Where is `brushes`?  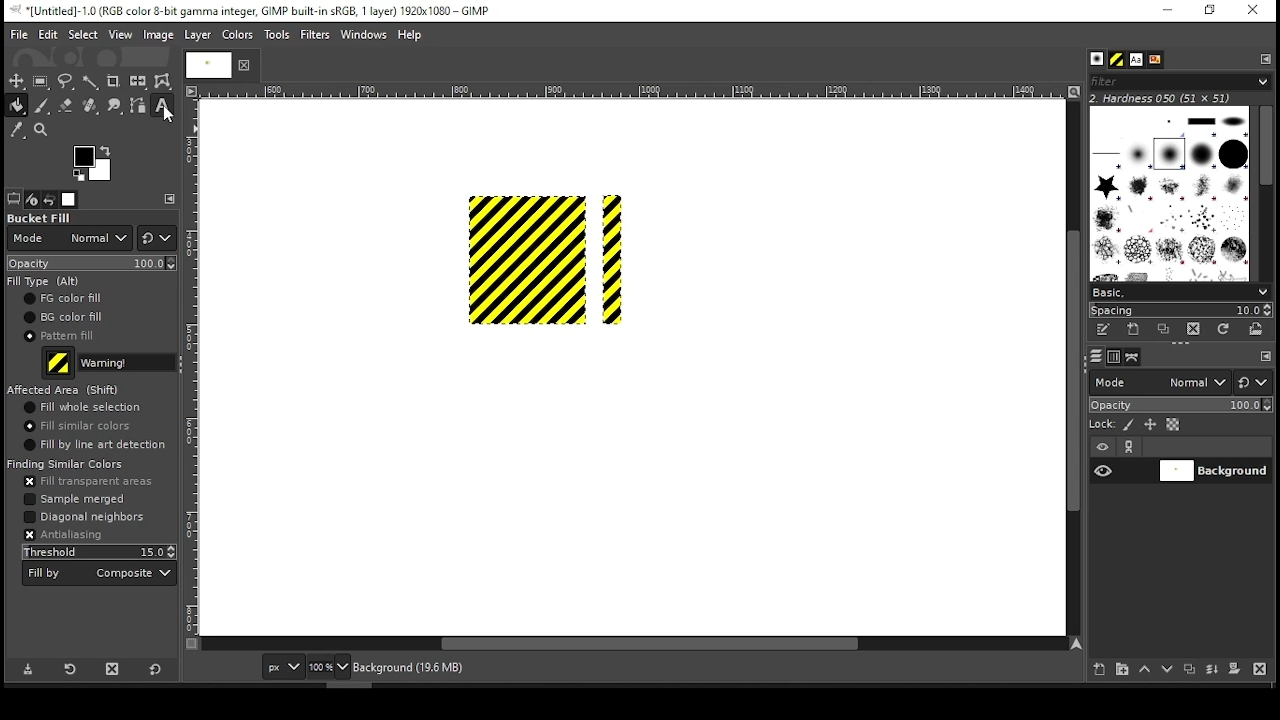 brushes is located at coordinates (1169, 193).